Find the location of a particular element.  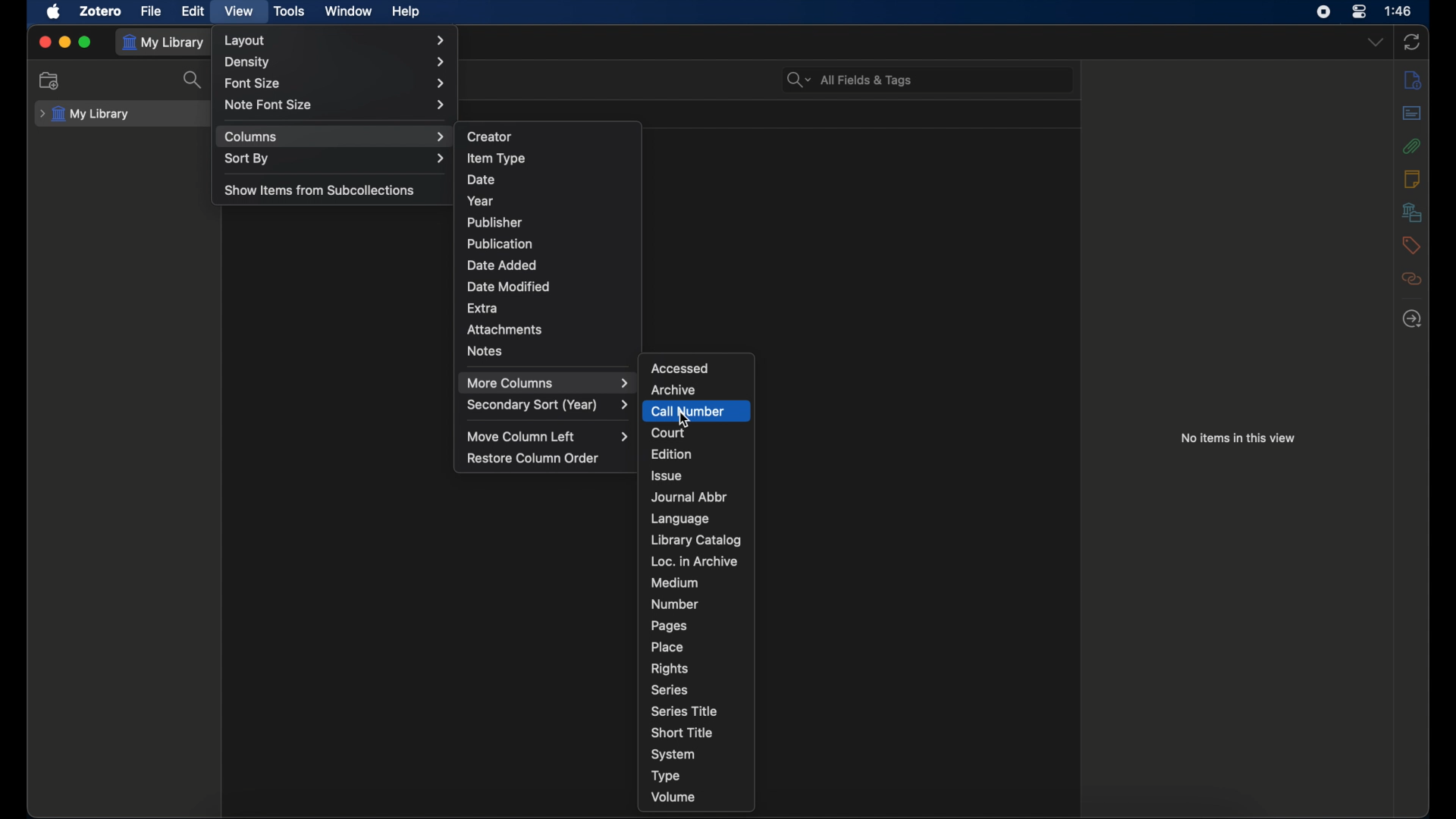

pages is located at coordinates (670, 626).